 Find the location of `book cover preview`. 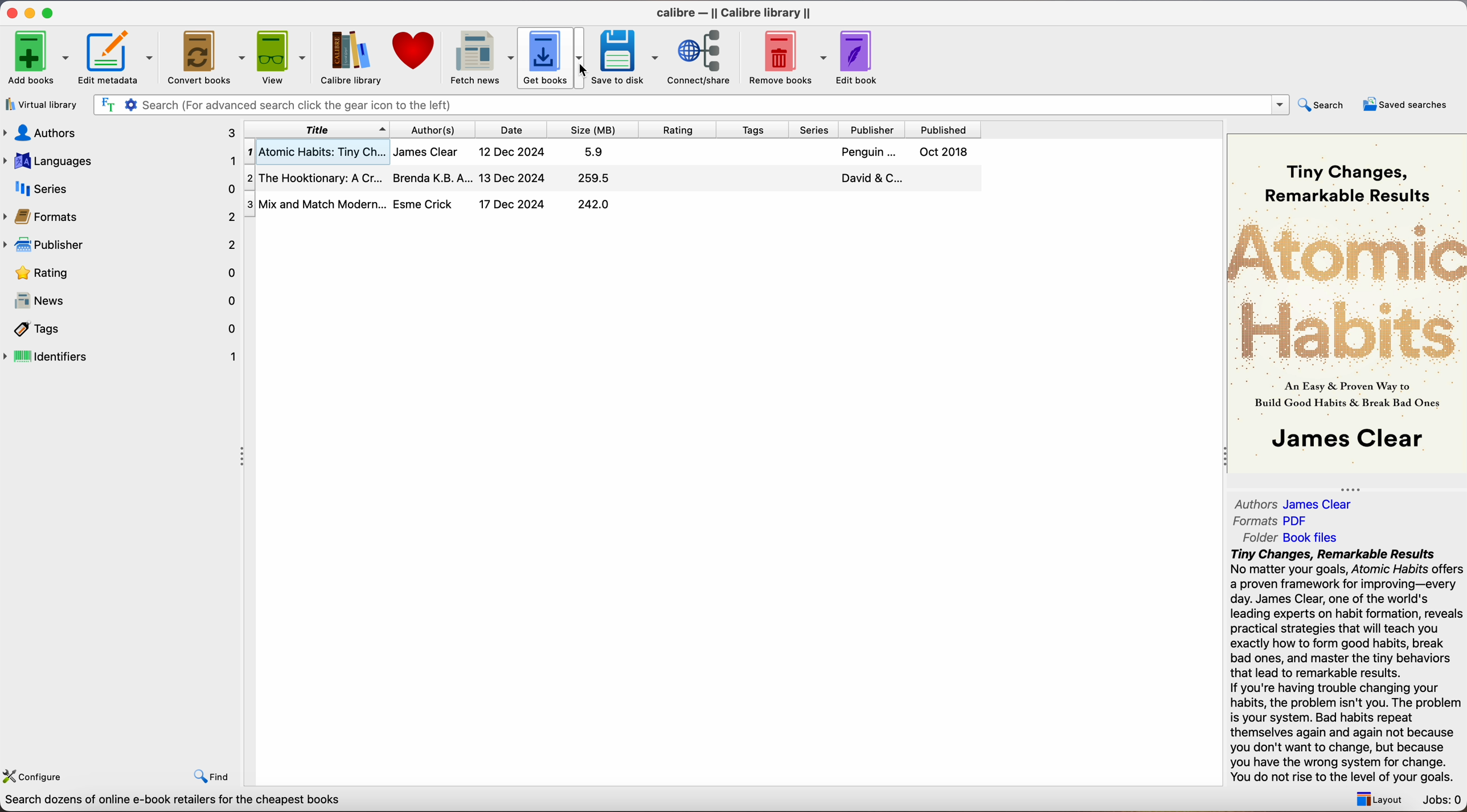

book cover preview is located at coordinates (1349, 302).